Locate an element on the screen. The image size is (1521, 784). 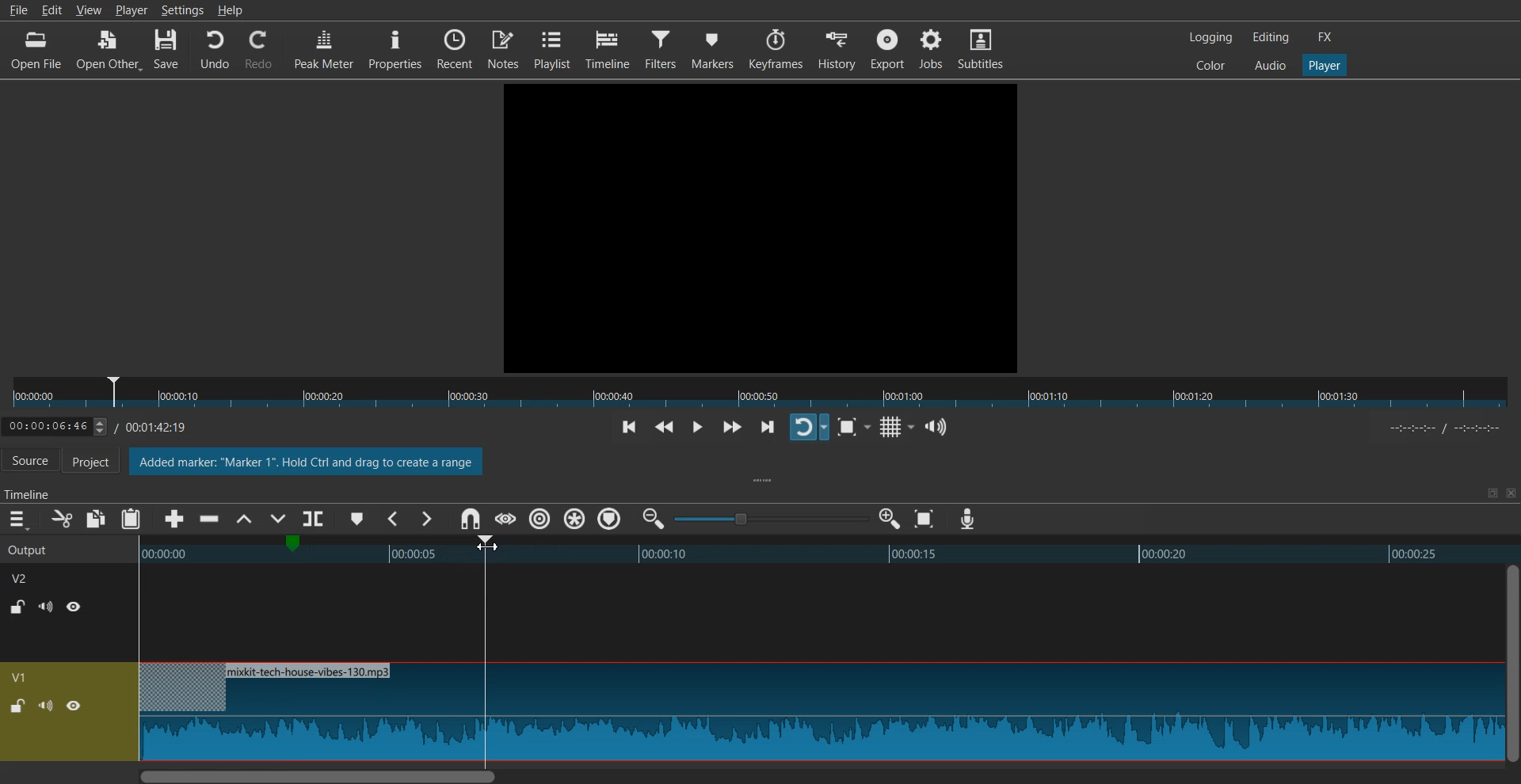
Redo is located at coordinates (259, 50).